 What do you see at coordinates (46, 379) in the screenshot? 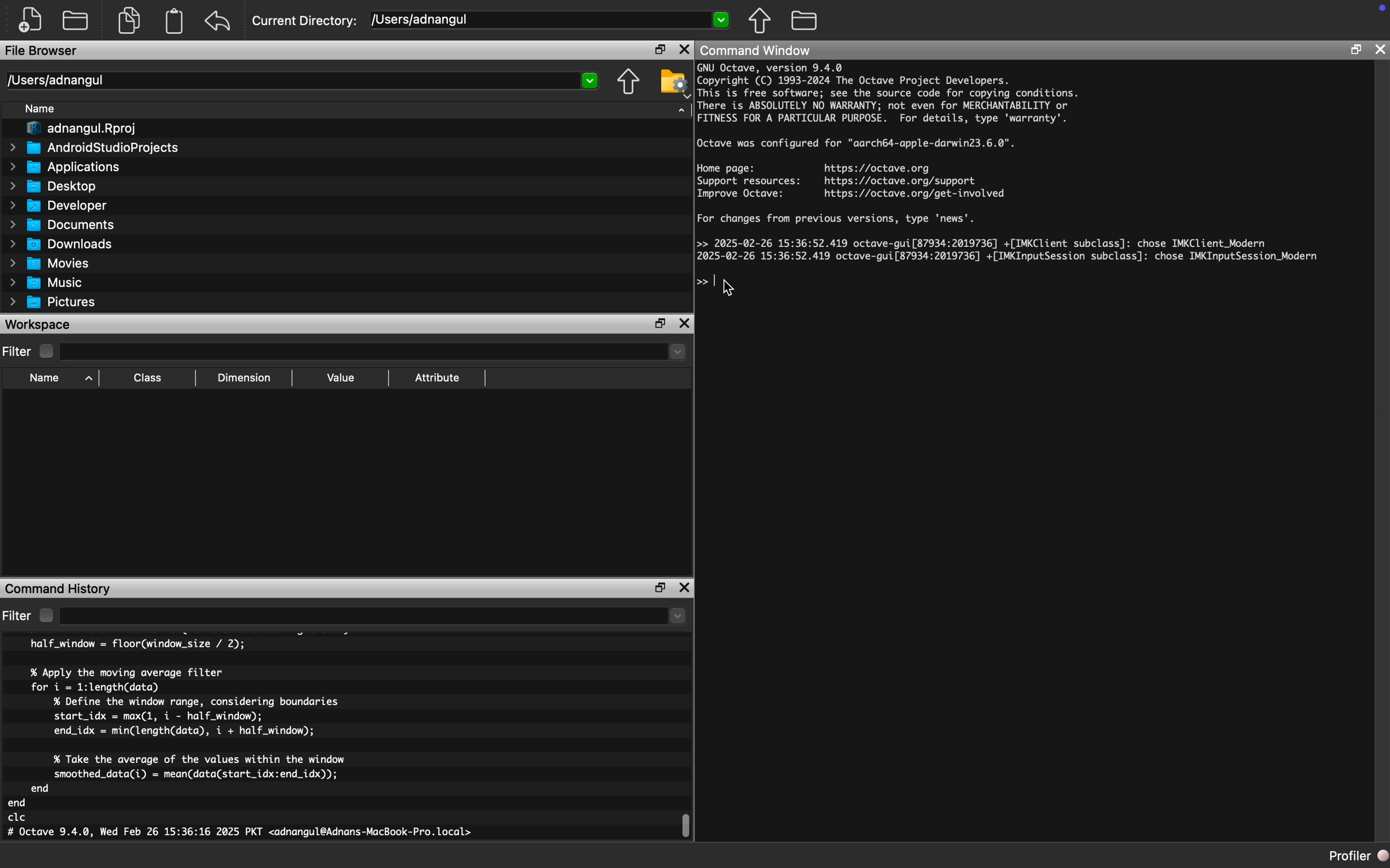
I see `Name` at bounding box center [46, 379].